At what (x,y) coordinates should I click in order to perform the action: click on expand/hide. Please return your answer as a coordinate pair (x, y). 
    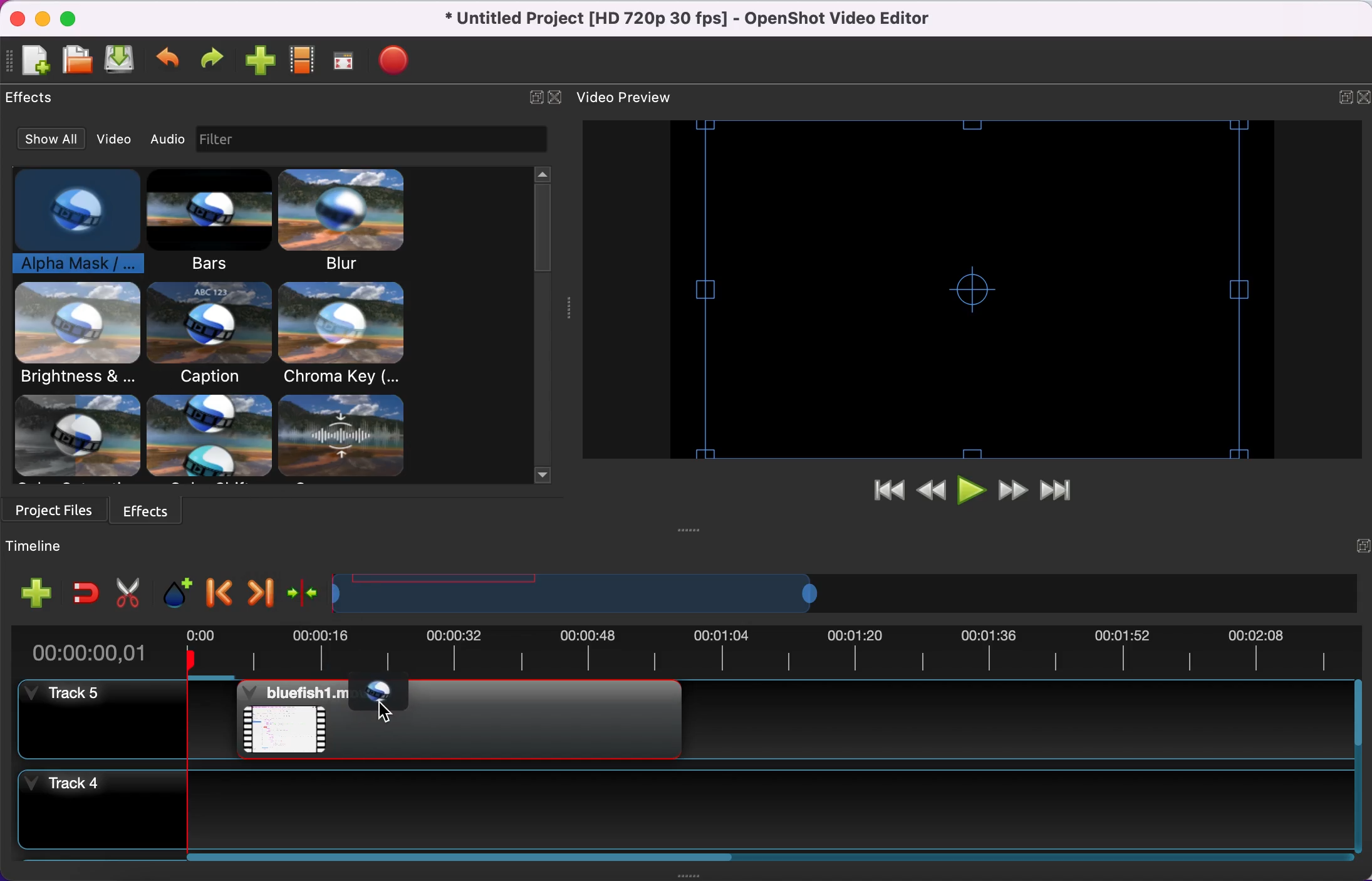
    Looking at the image, I should click on (1353, 550).